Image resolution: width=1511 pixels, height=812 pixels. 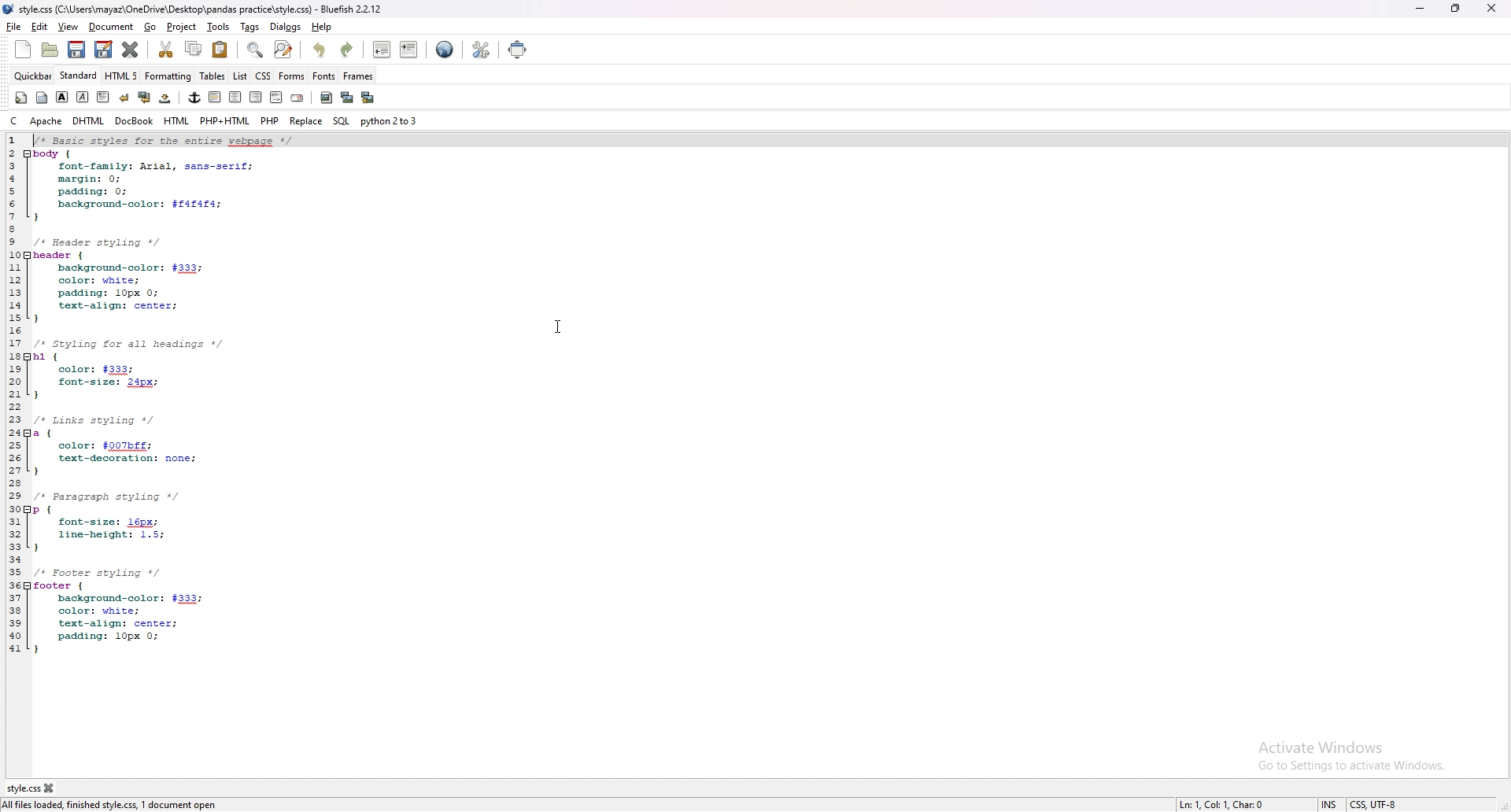 What do you see at coordinates (212, 76) in the screenshot?
I see `tables` at bounding box center [212, 76].